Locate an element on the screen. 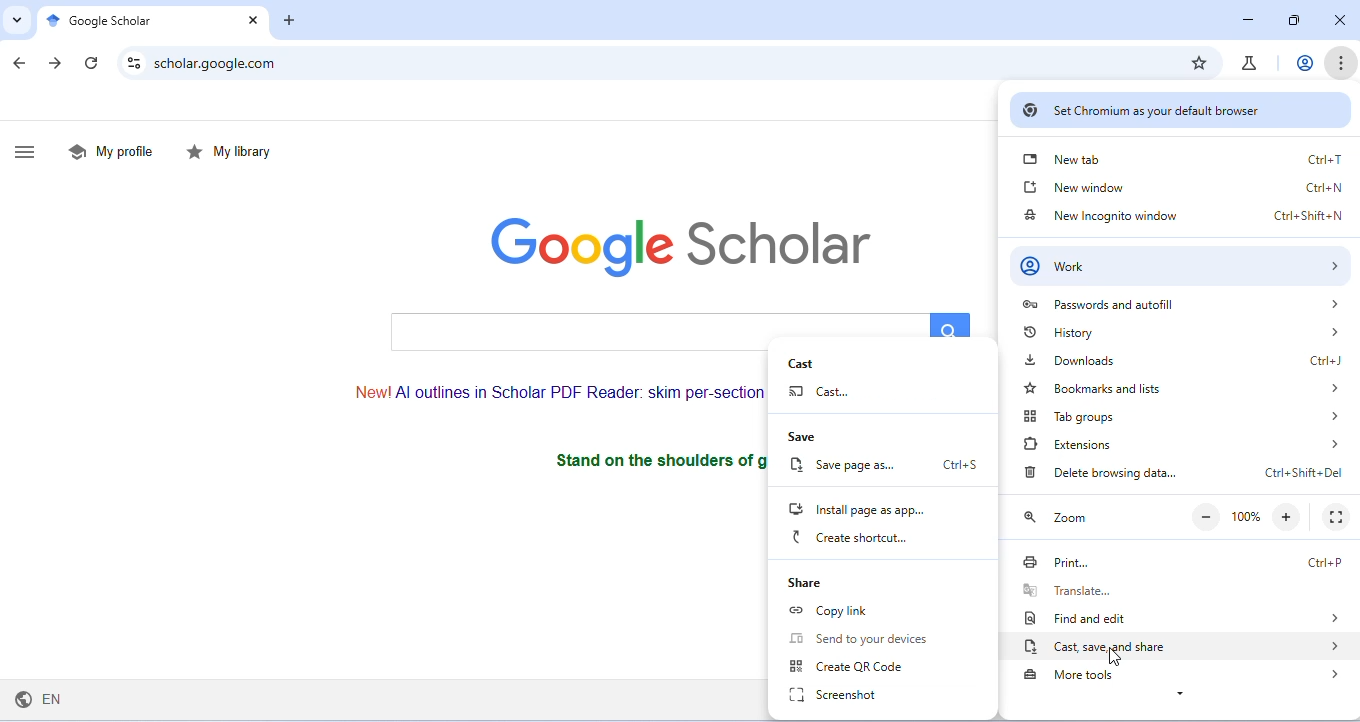 This screenshot has height=722, width=1360. set chromium as default browser is located at coordinates (1177, 110).